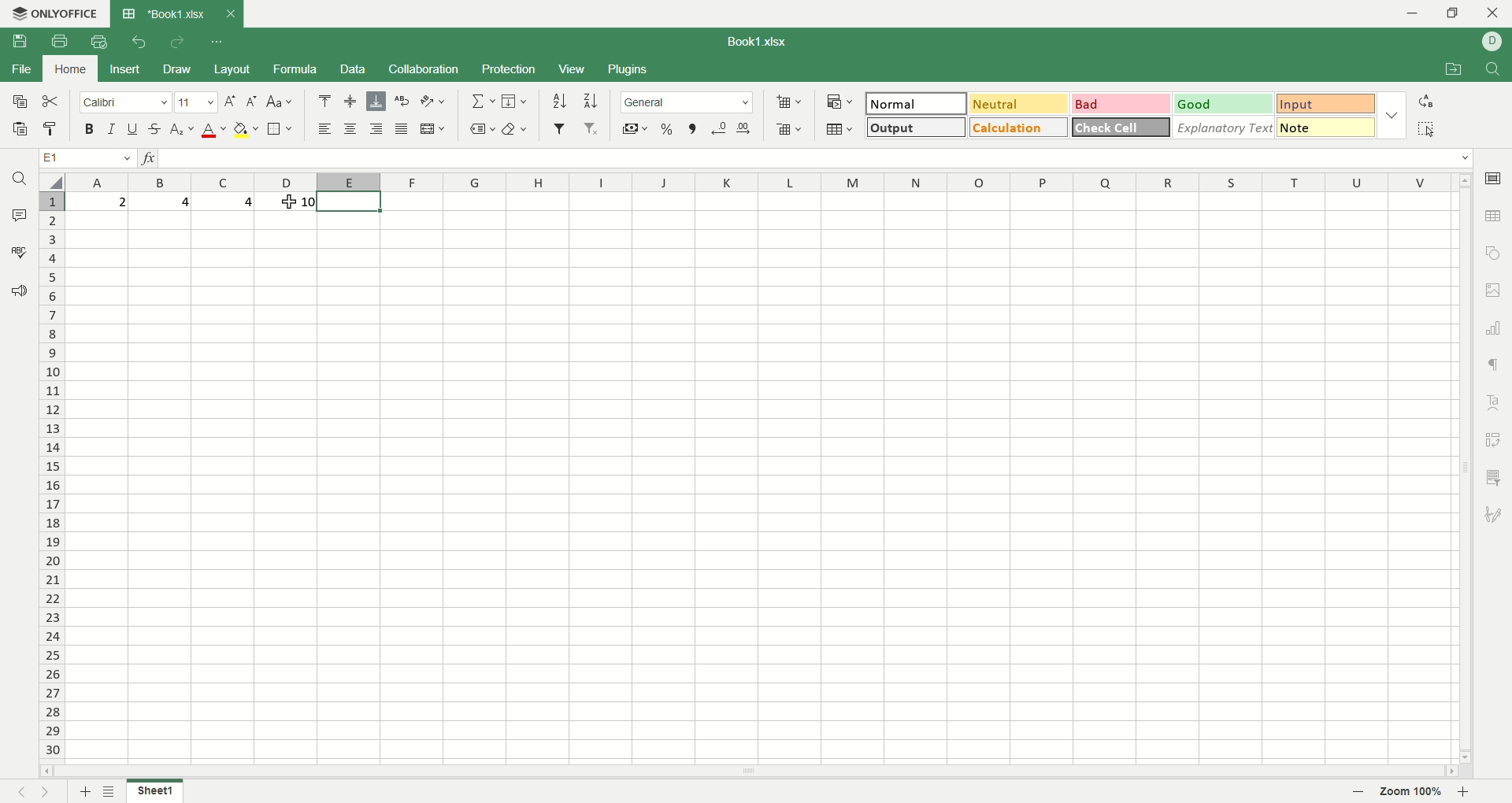  I want to click on orientation, so click(435, 102).